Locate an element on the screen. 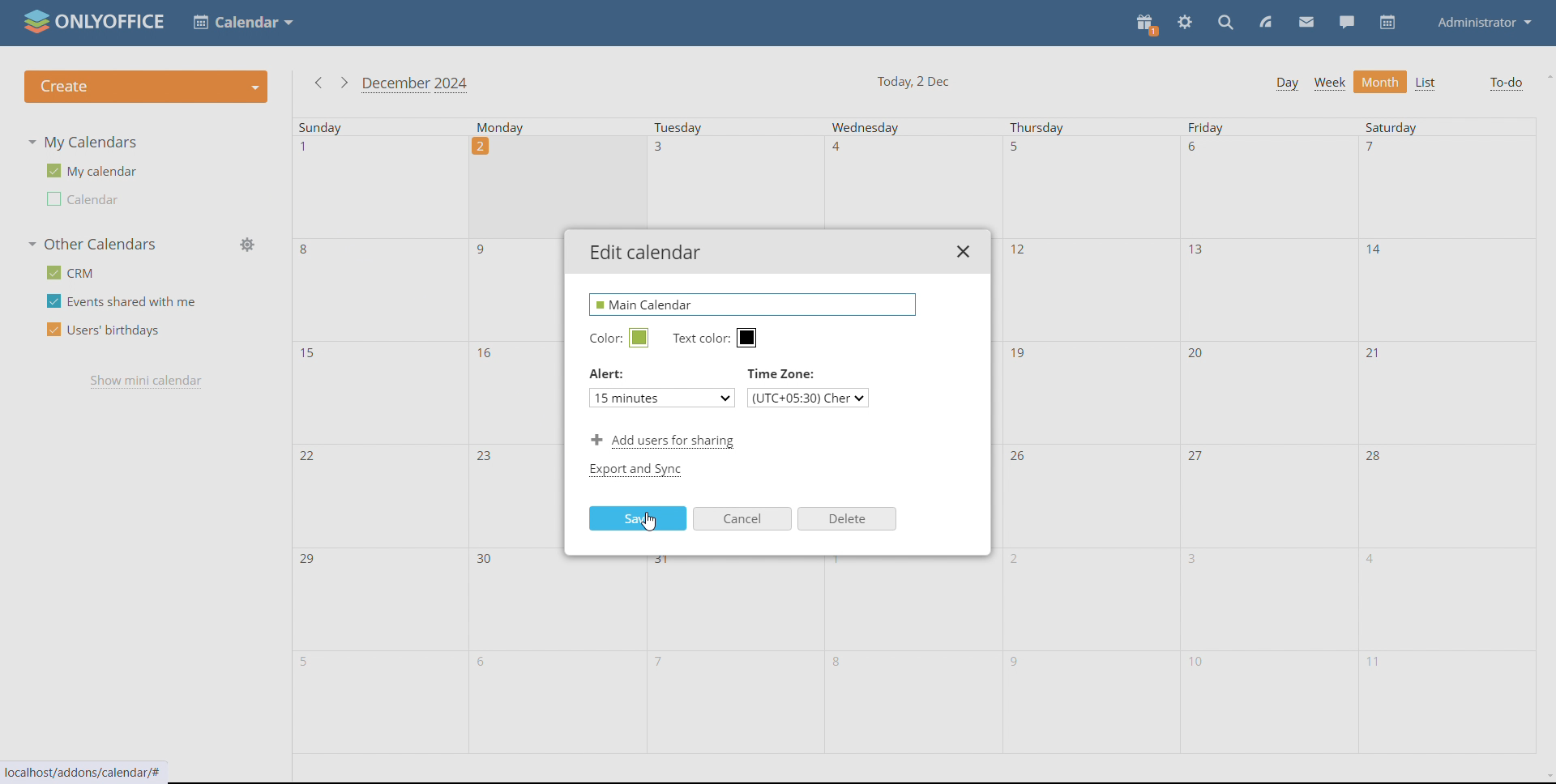 This screenshot has width=1556, height=784.  is located at coordinates (557, 182).